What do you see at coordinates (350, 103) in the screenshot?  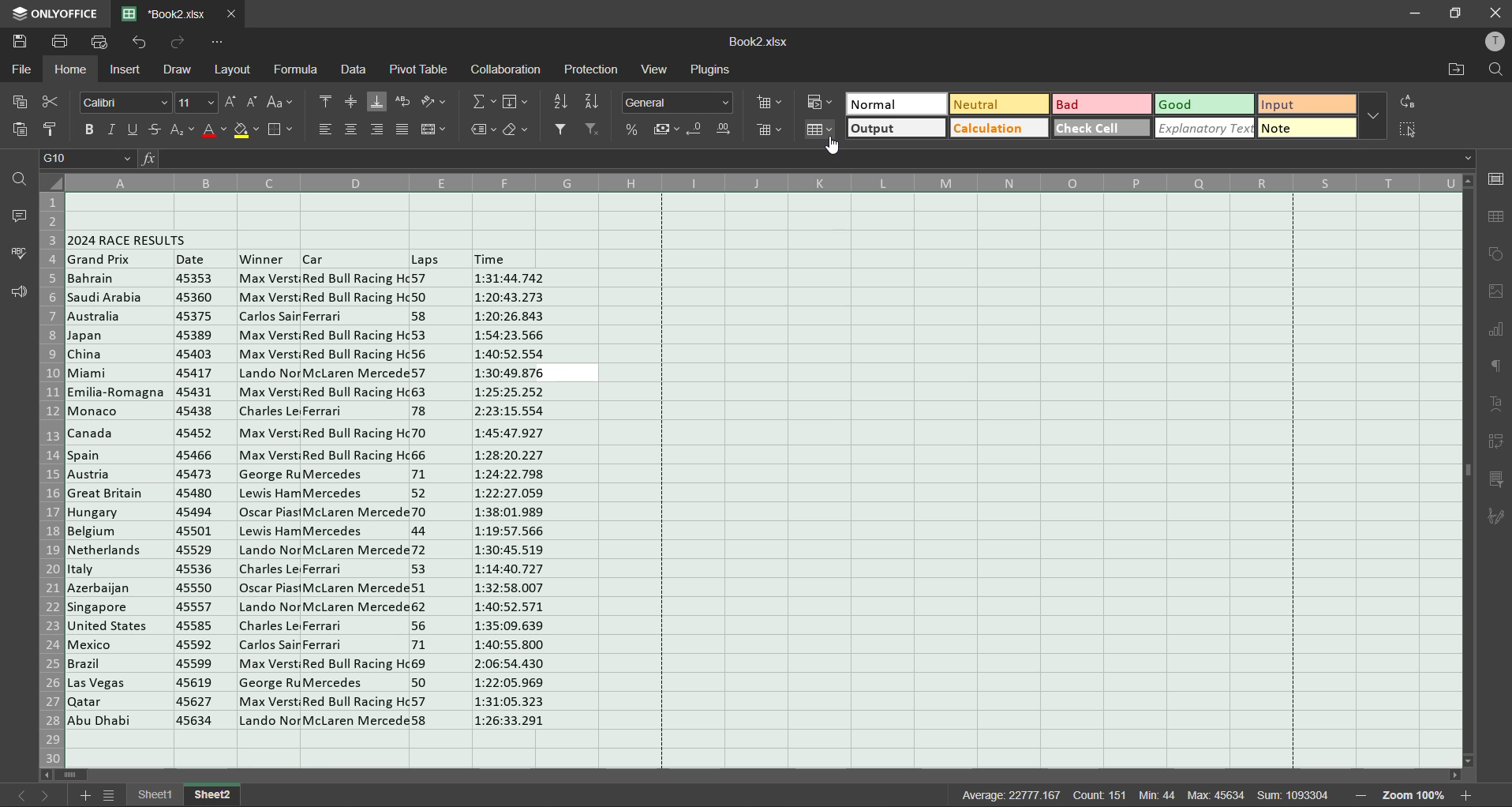 I see `align middle` at bounding box center [350, 103].